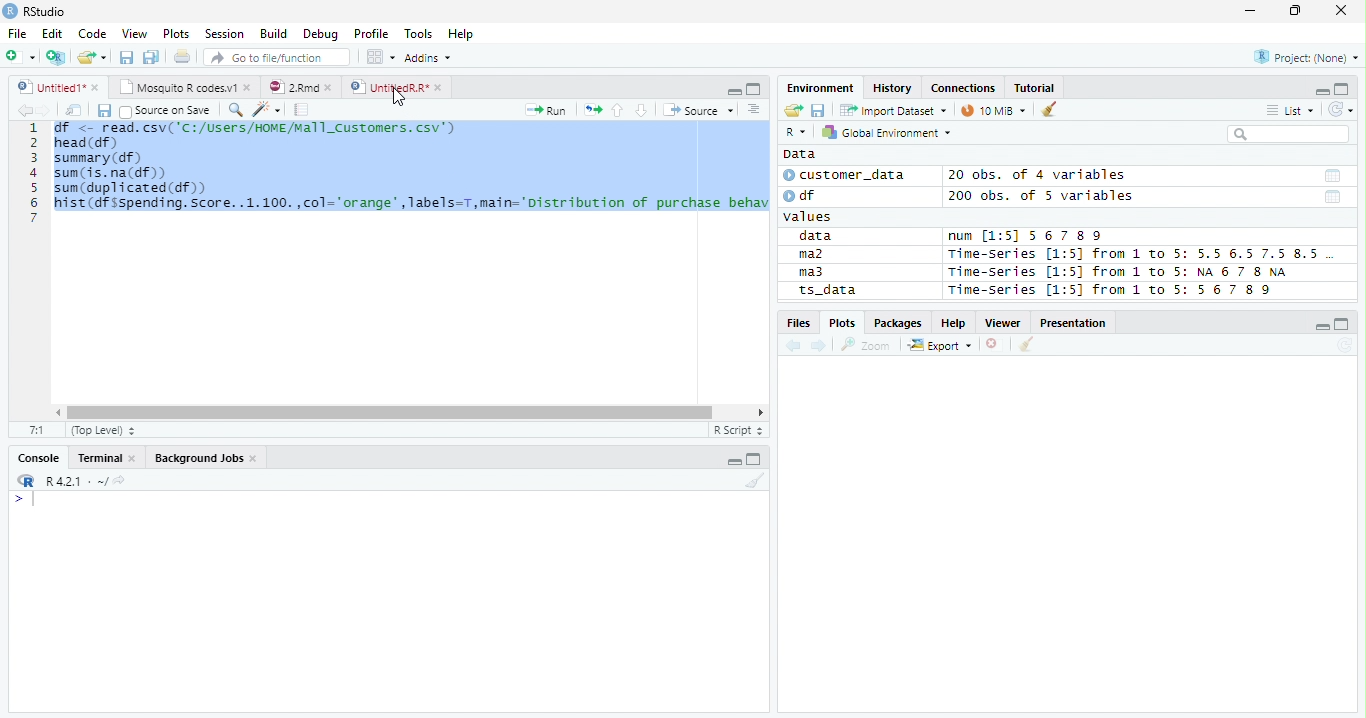 The image size is (1366, 718). What do you see at coordinates (370, 34) in the screenshot?
I see `Profile` at bounding box center [370, 34].